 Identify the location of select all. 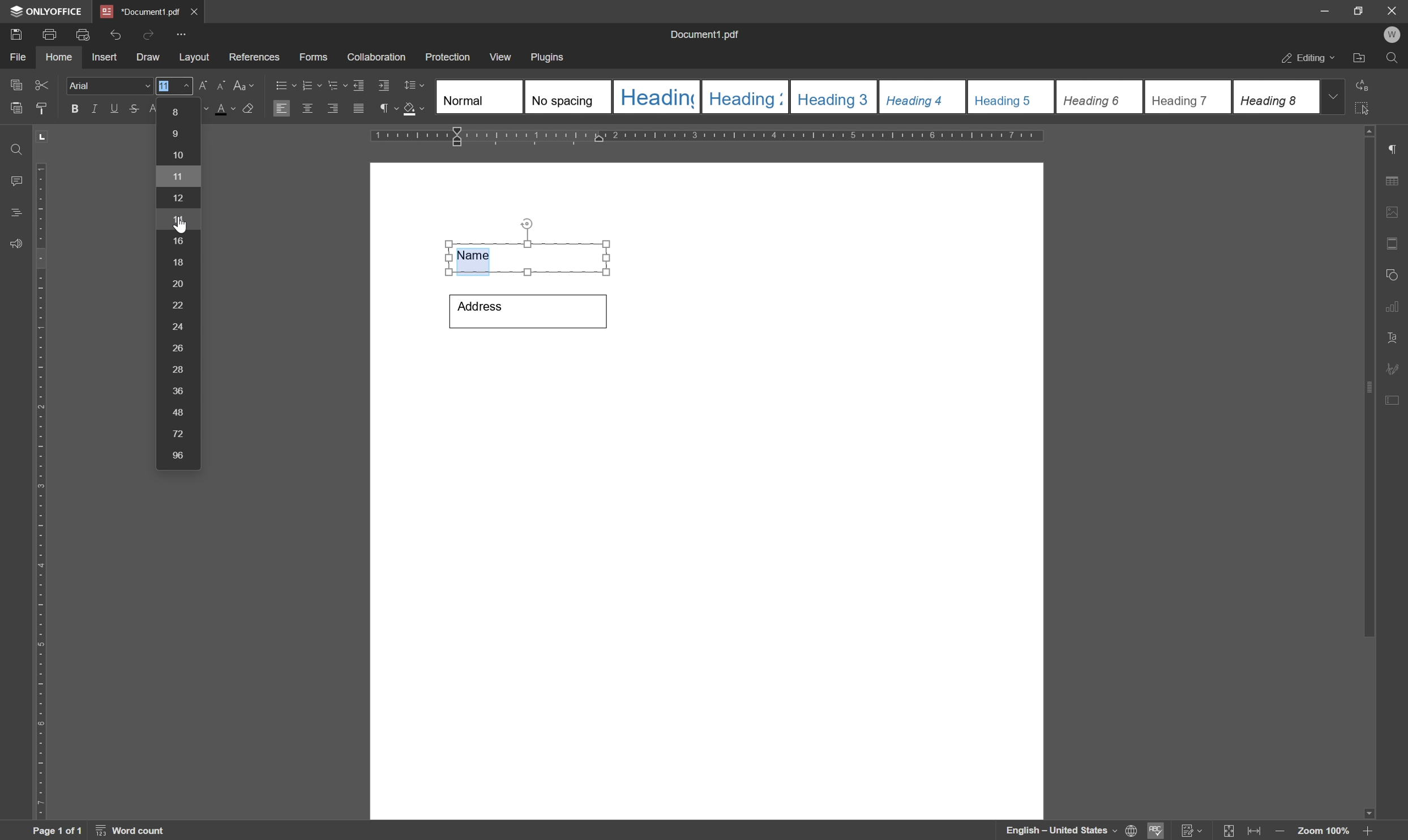
(1368, 108).